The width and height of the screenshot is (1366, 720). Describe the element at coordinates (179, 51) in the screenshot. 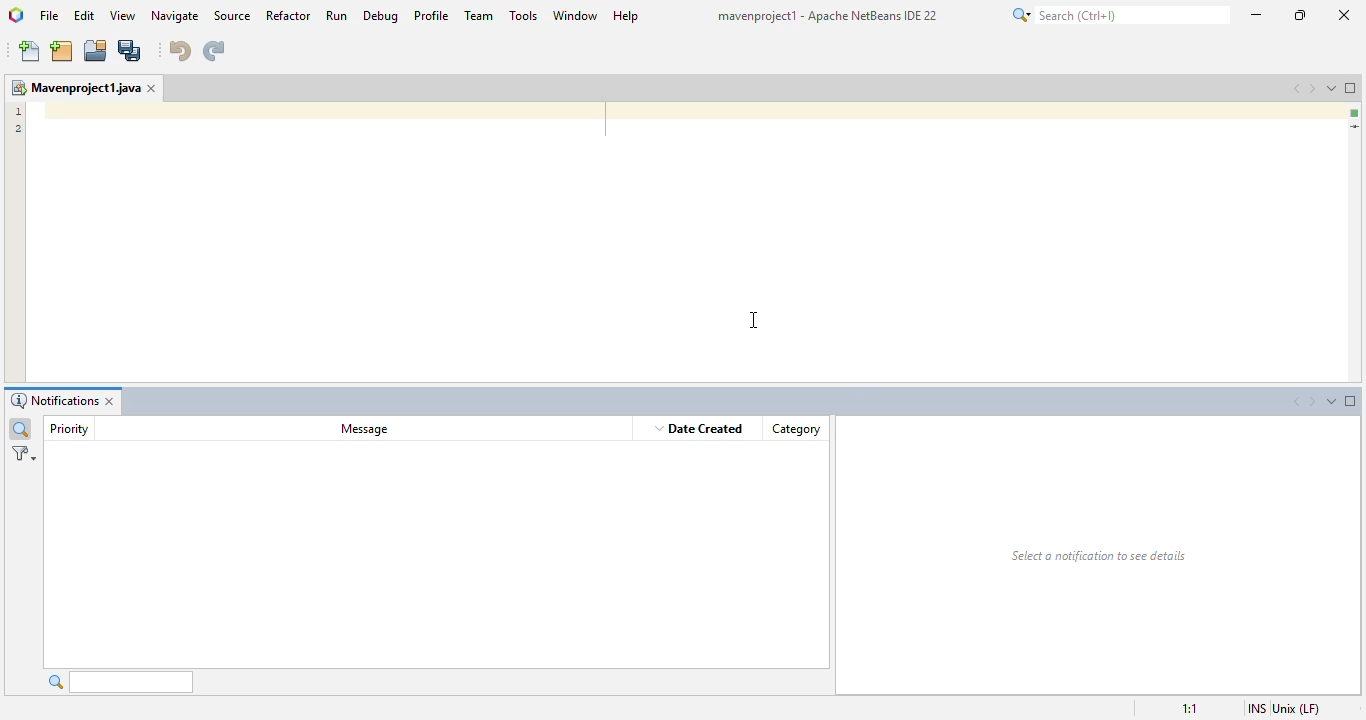

I see `undo` at that location.